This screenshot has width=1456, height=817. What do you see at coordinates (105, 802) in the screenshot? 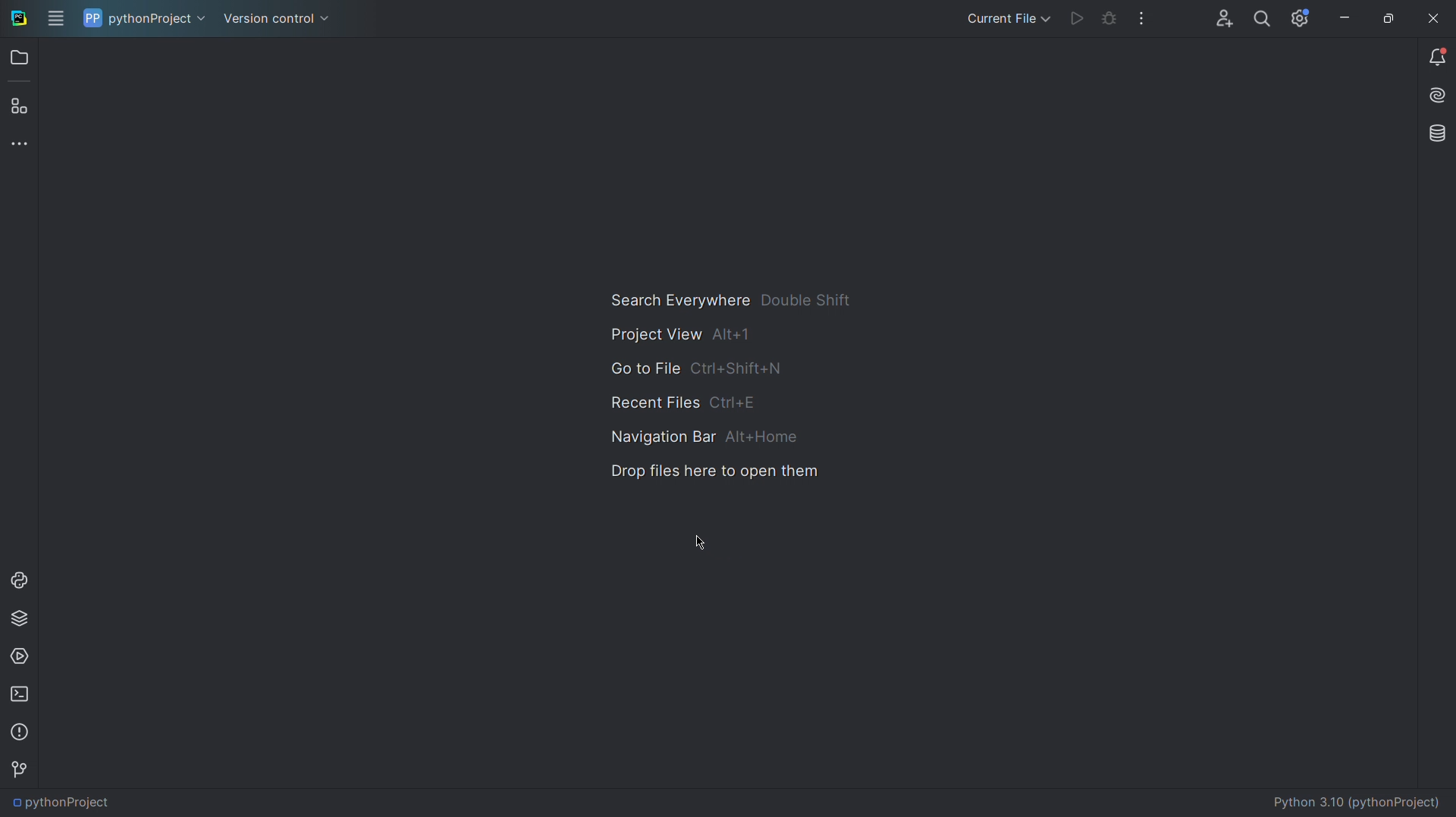
I see `Python project` at bounding box center [105, 802].